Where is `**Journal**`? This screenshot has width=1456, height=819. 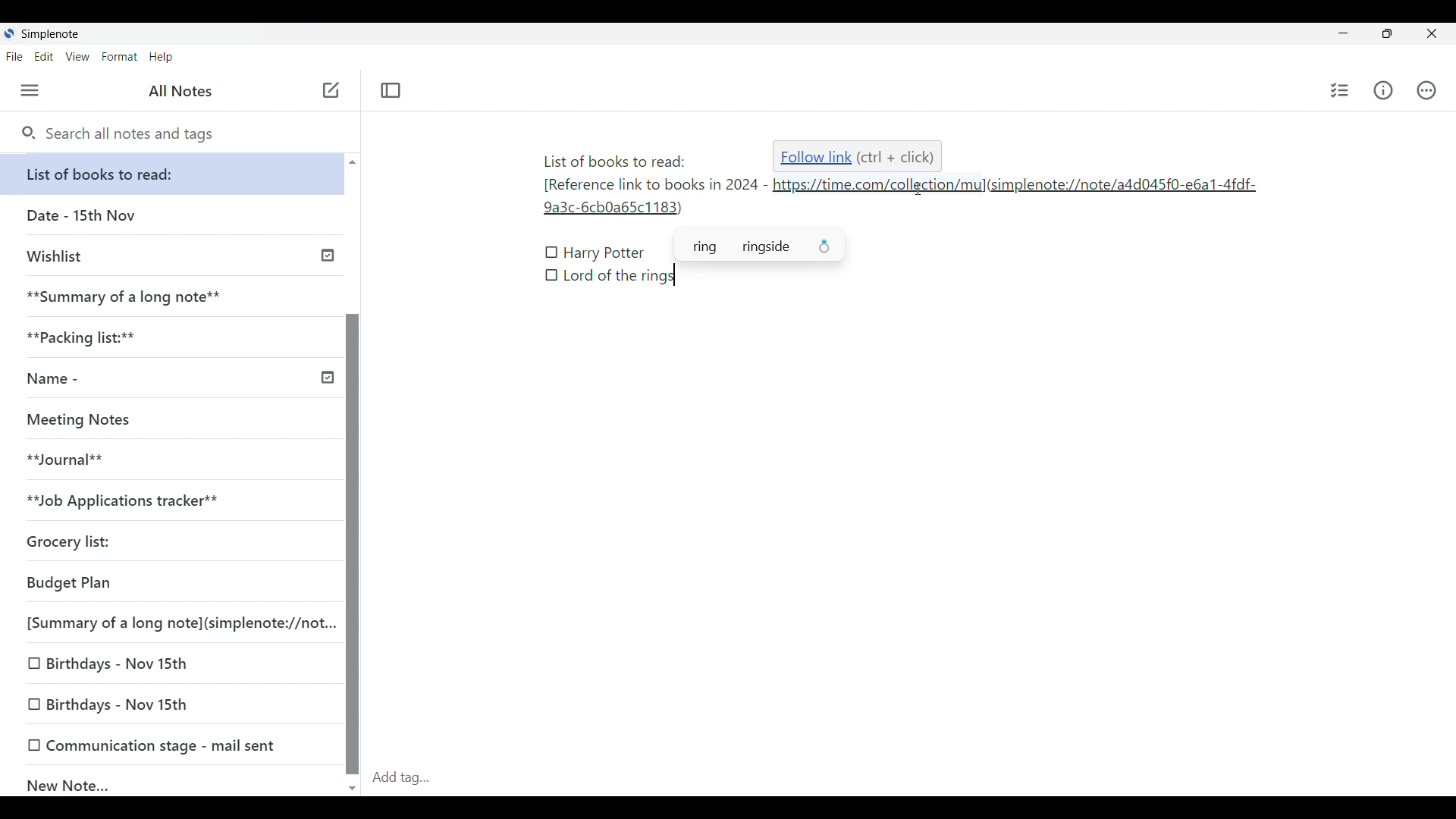 **Journal** is located at coordinates (168, 460).